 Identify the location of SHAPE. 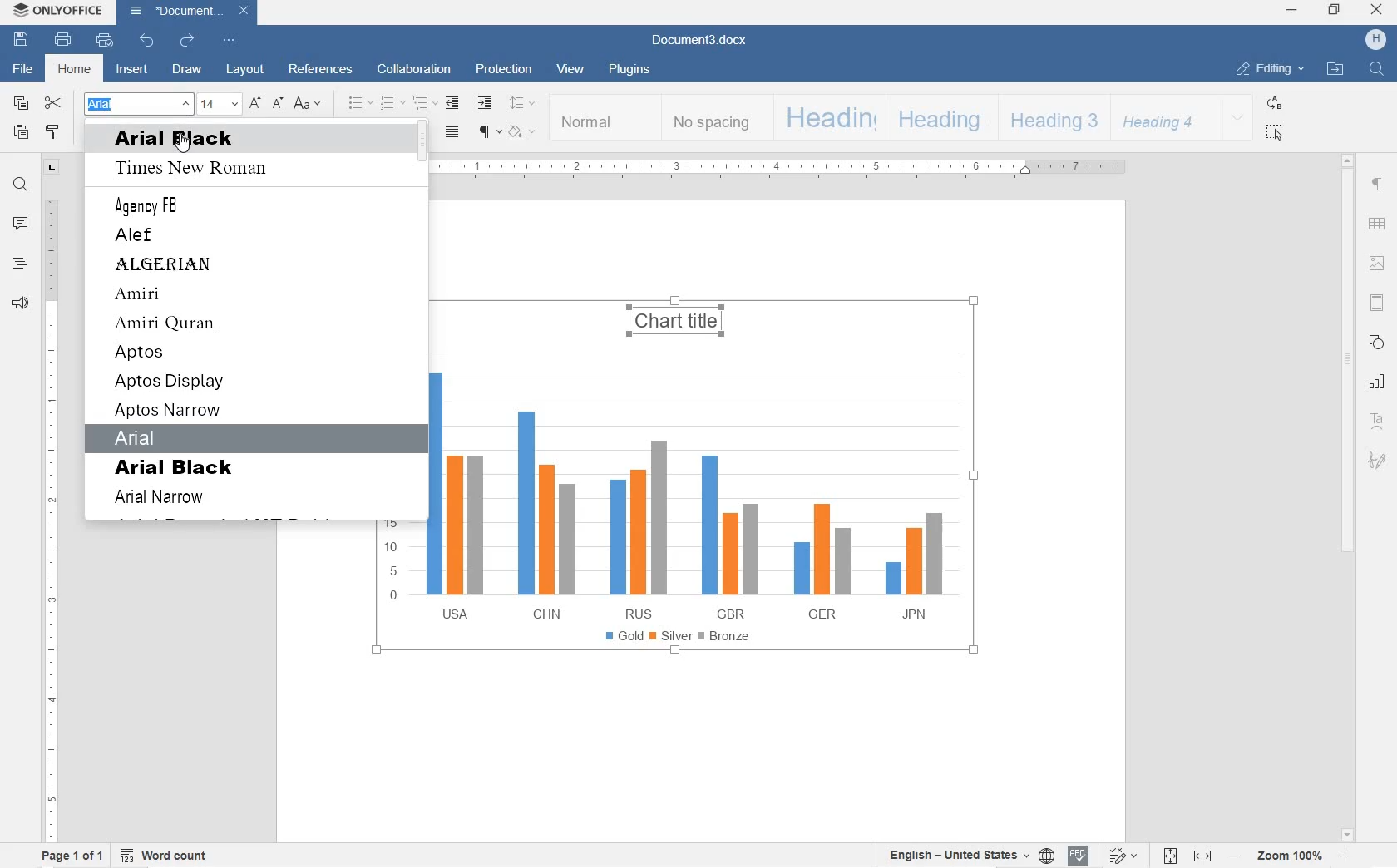
(1375, 342).